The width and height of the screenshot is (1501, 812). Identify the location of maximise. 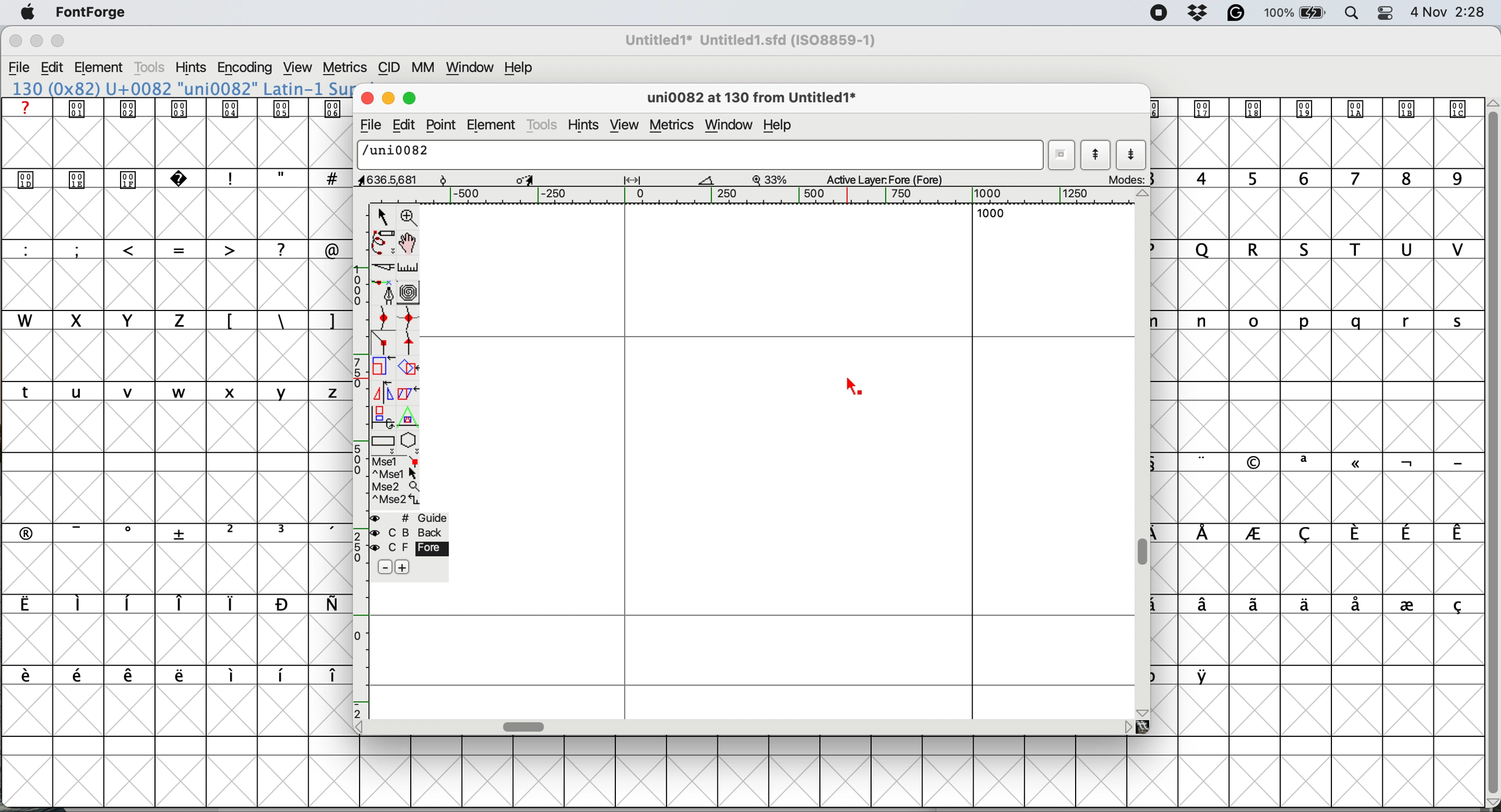
(412, 96).